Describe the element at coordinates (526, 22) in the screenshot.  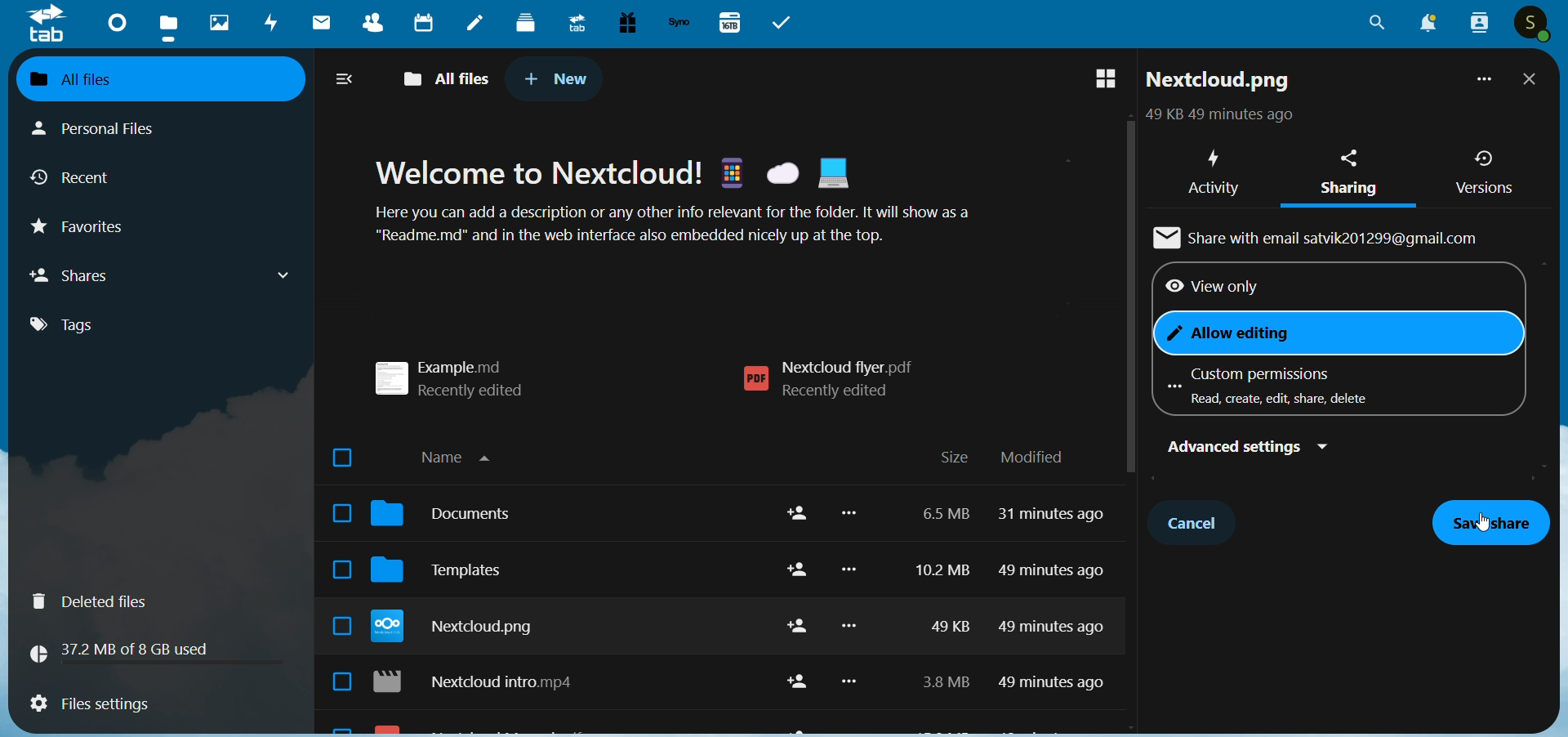
I see `dock` at that location.